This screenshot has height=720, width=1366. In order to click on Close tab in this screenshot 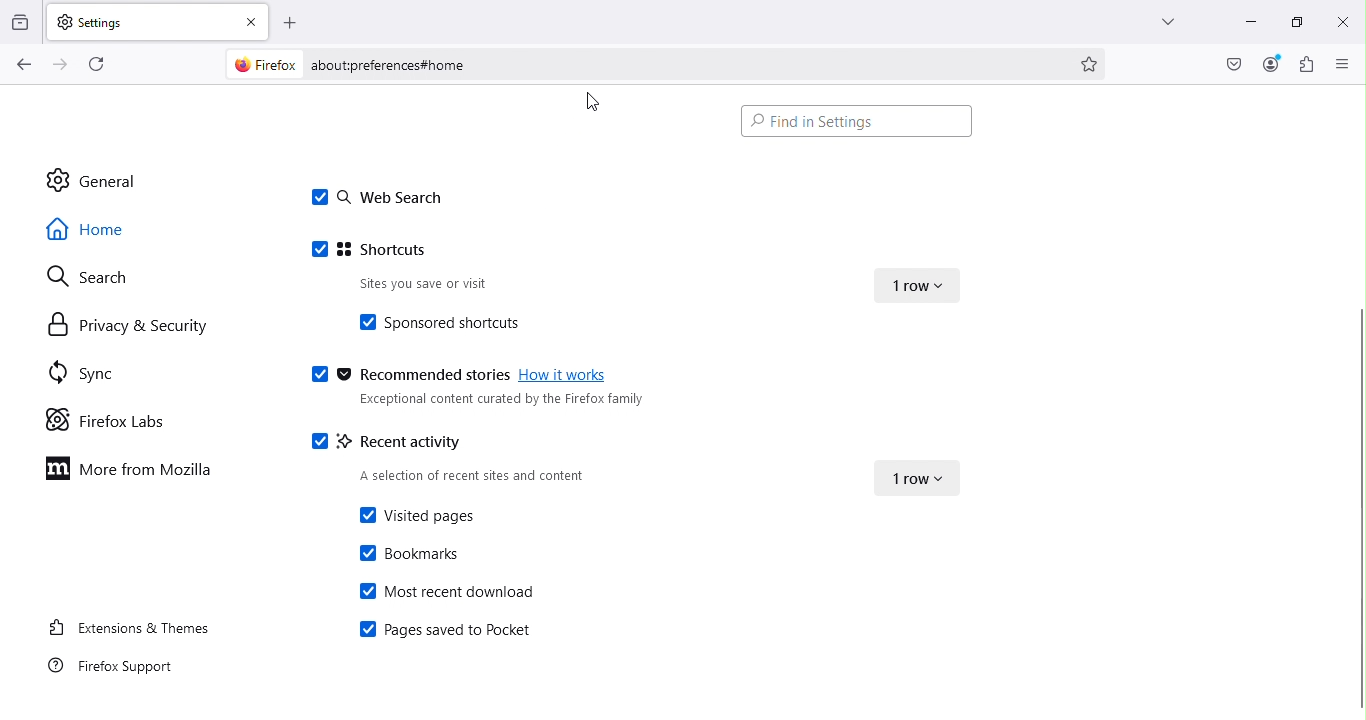, I will do `click(254, 21)`.